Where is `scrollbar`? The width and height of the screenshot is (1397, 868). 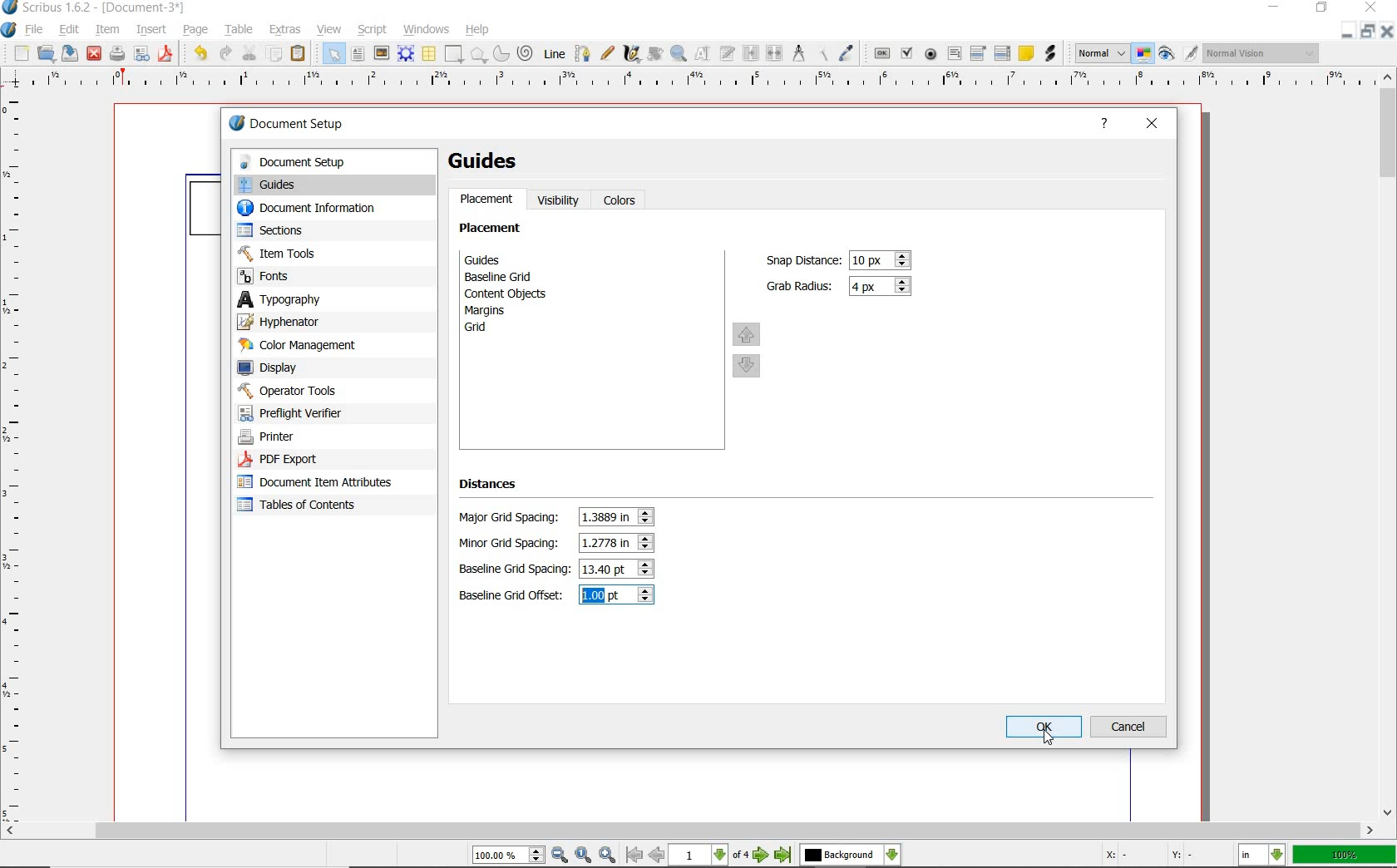
scrollbar is located at coordinates (1389, 444).